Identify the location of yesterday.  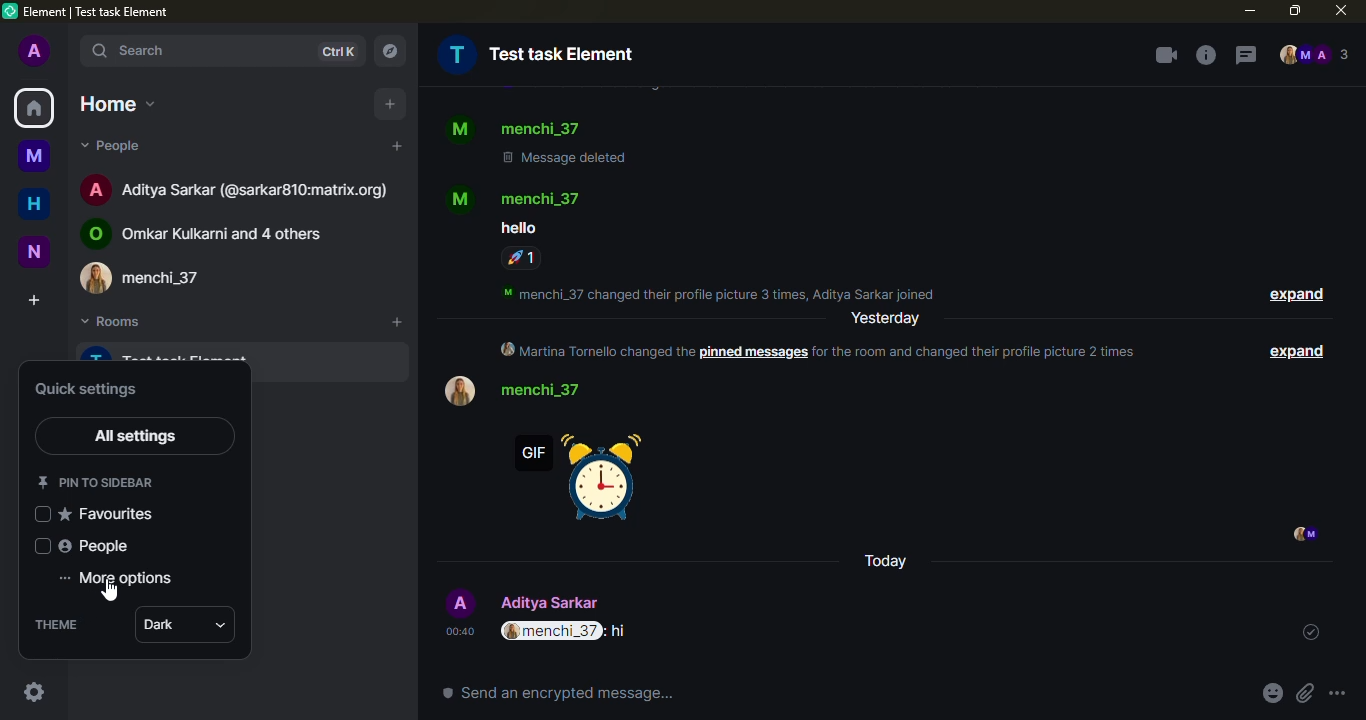
(886, 319).